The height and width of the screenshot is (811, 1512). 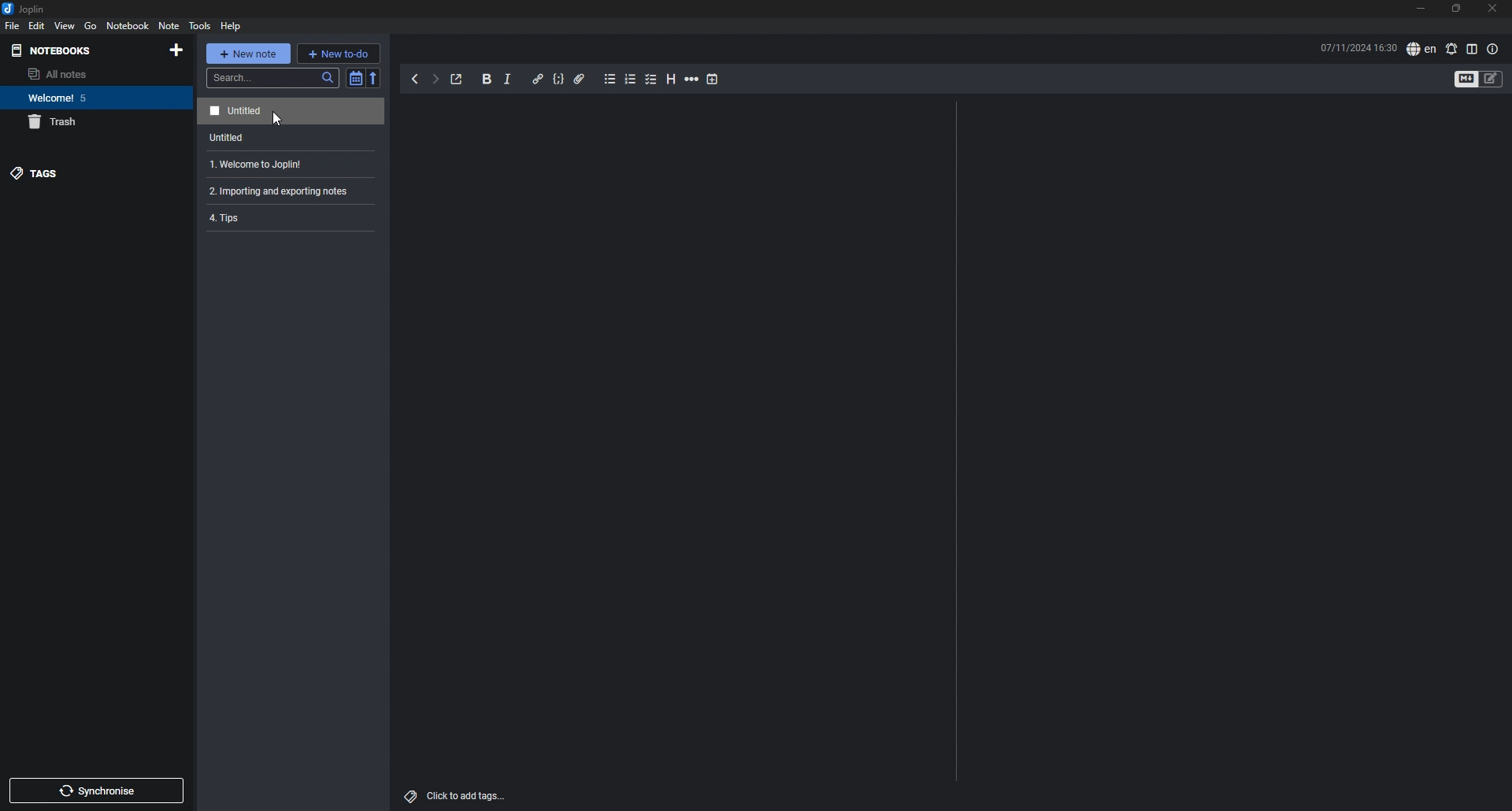 What do you see at coordinates (487, 80) in the screenshot?
I see `bold` at bounding box center [487, 80].